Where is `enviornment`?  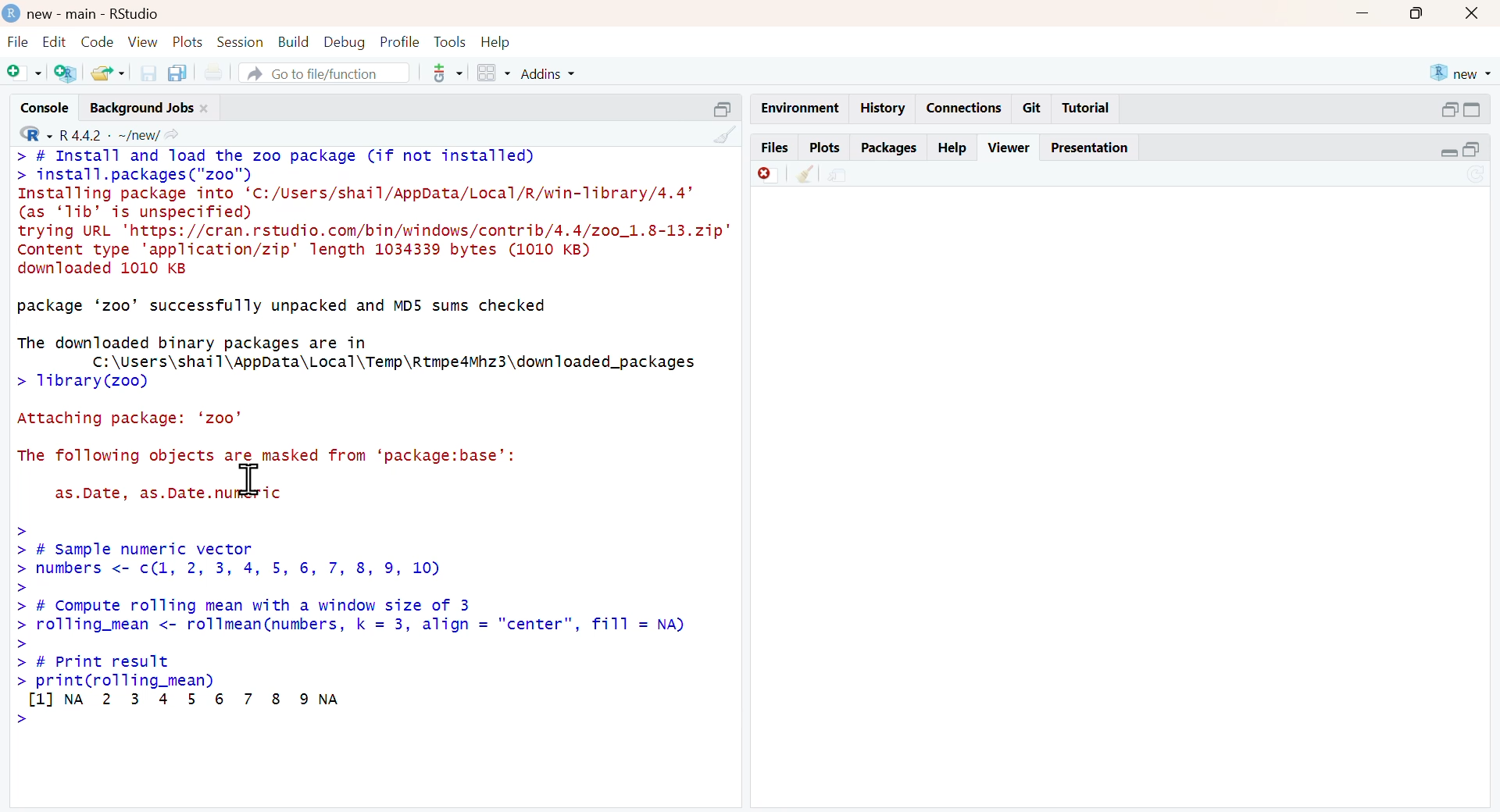
enviornment is located at coordinates (798, 107).